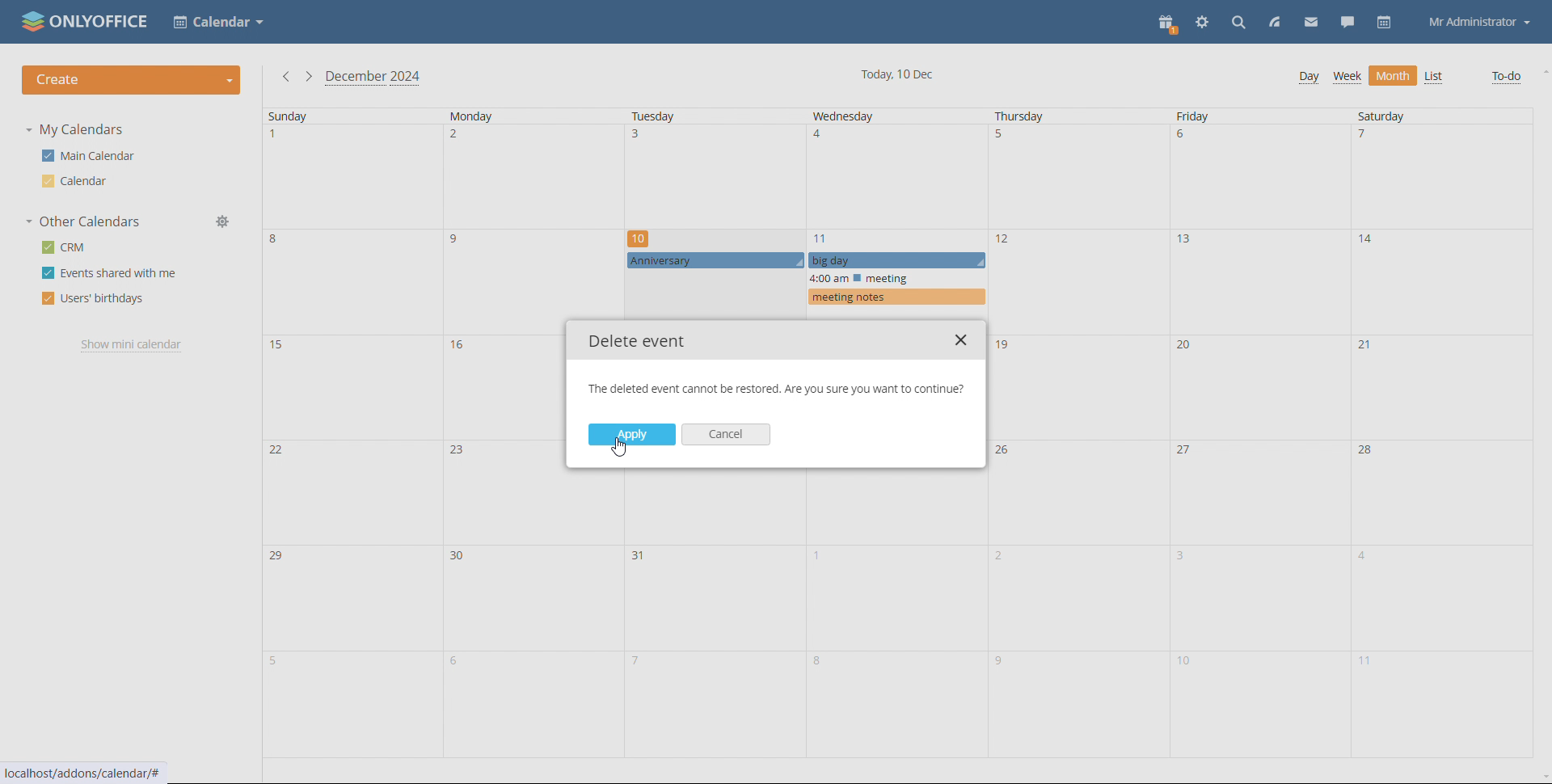 This screenshot has height=784, width=1552. What do you see at coordinates (218, 21) in the screenshot?
I see `select application` at bounding box center [218, 21].